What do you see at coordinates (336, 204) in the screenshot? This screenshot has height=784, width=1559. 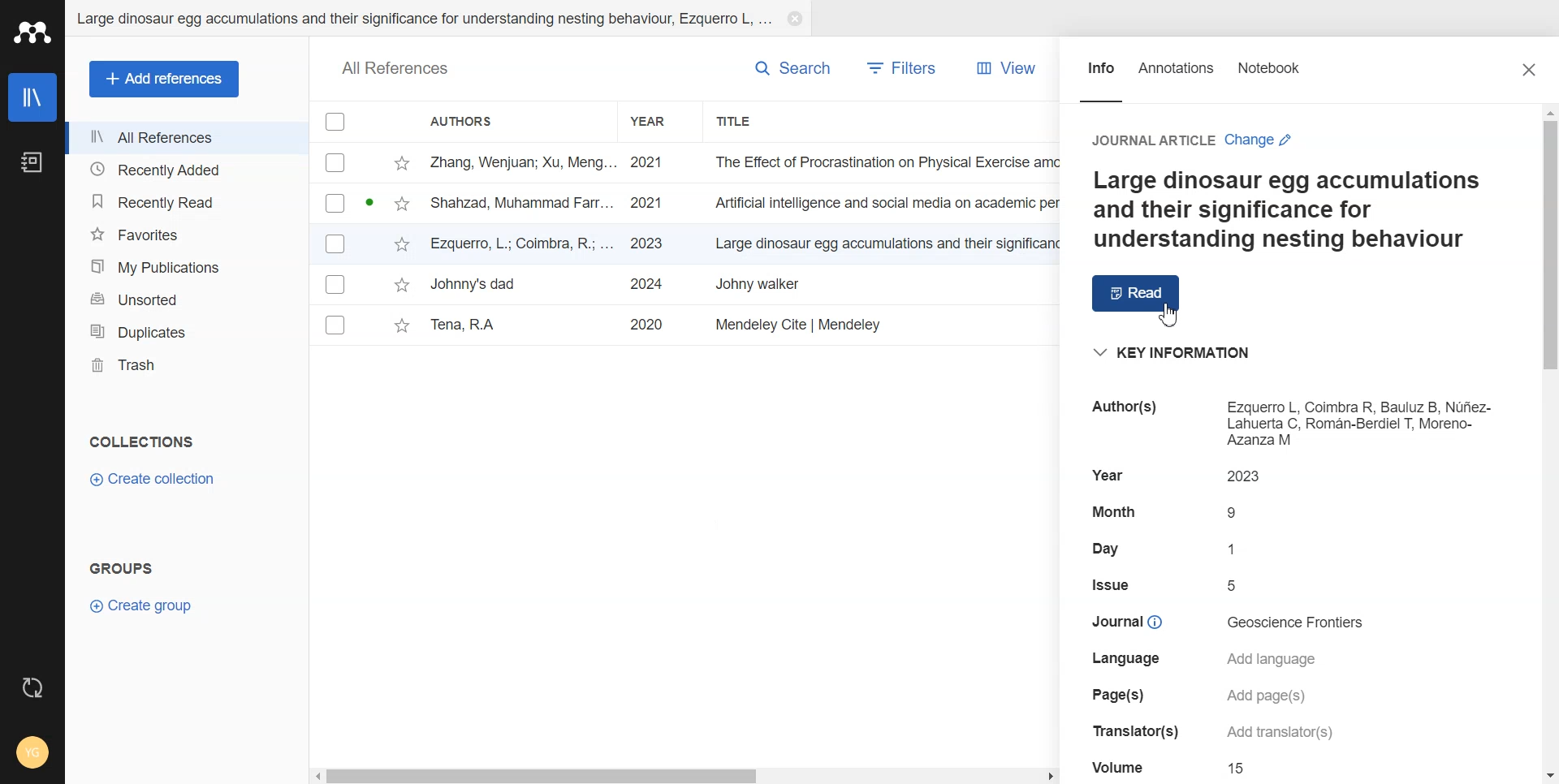 I see `checkbox` at bounding box center [336, 204].